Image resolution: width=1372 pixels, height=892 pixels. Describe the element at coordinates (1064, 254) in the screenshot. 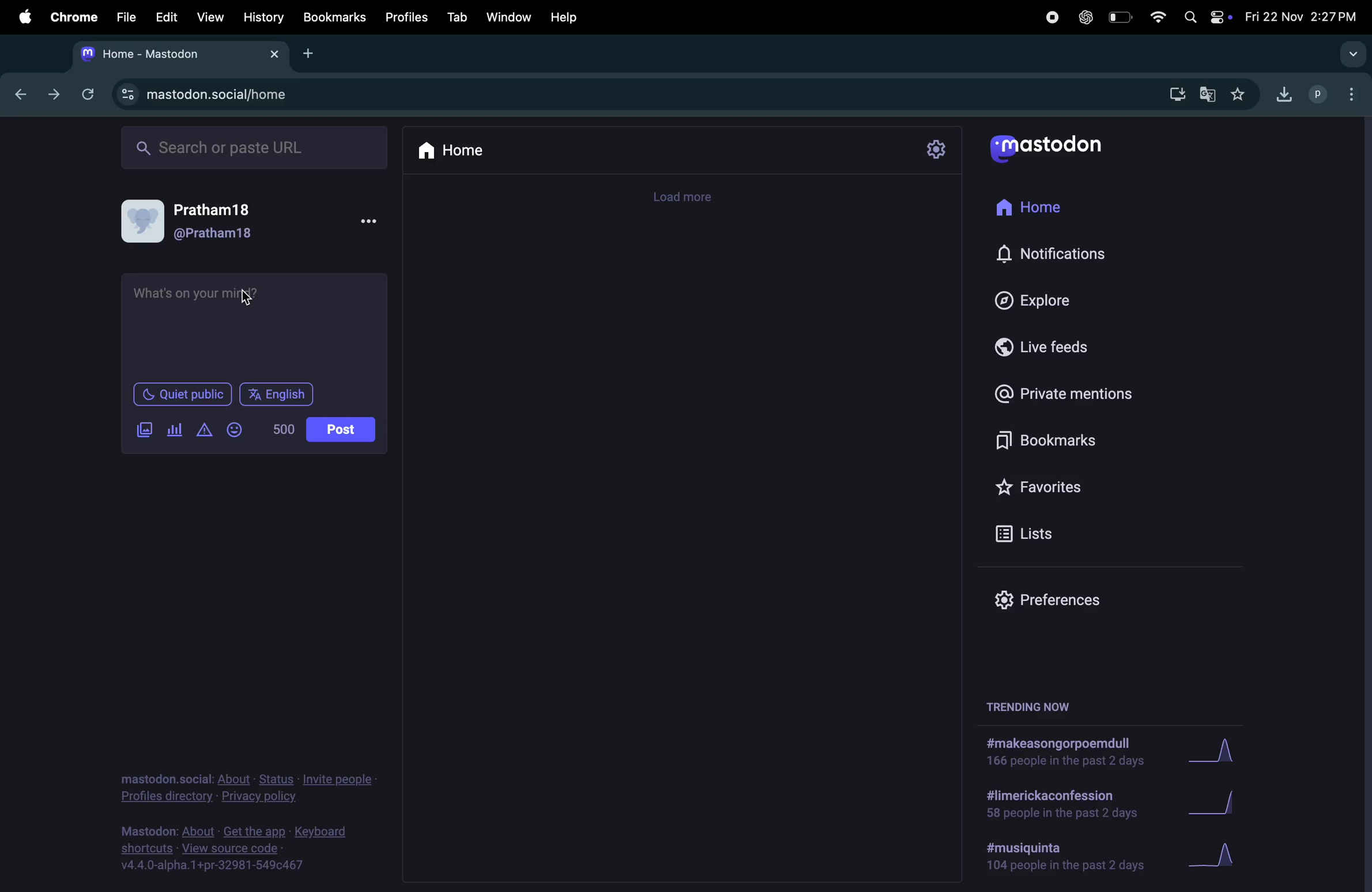

I see `notification` at that location.